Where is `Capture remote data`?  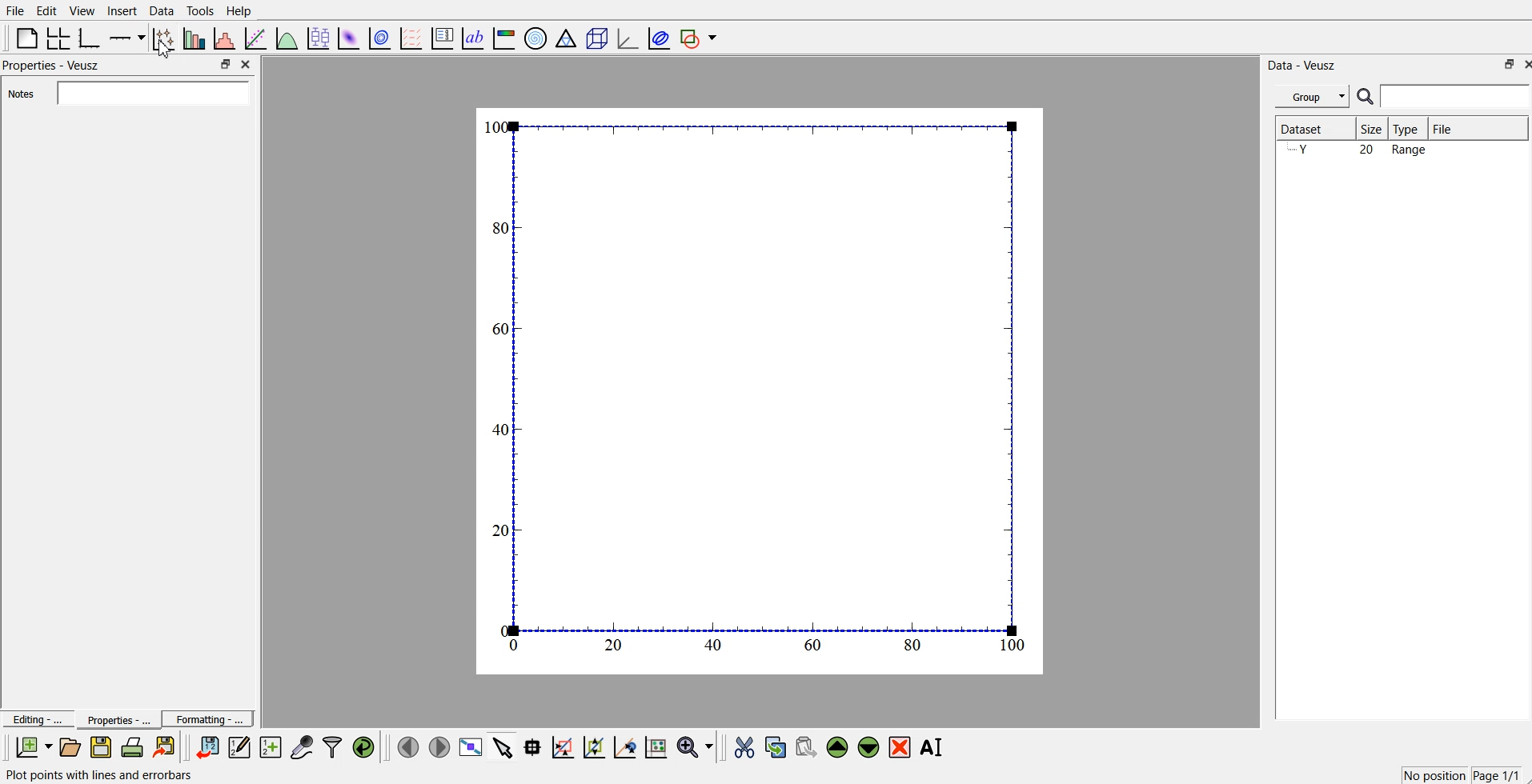
Capture remote data is located at coordinates (303, 746).